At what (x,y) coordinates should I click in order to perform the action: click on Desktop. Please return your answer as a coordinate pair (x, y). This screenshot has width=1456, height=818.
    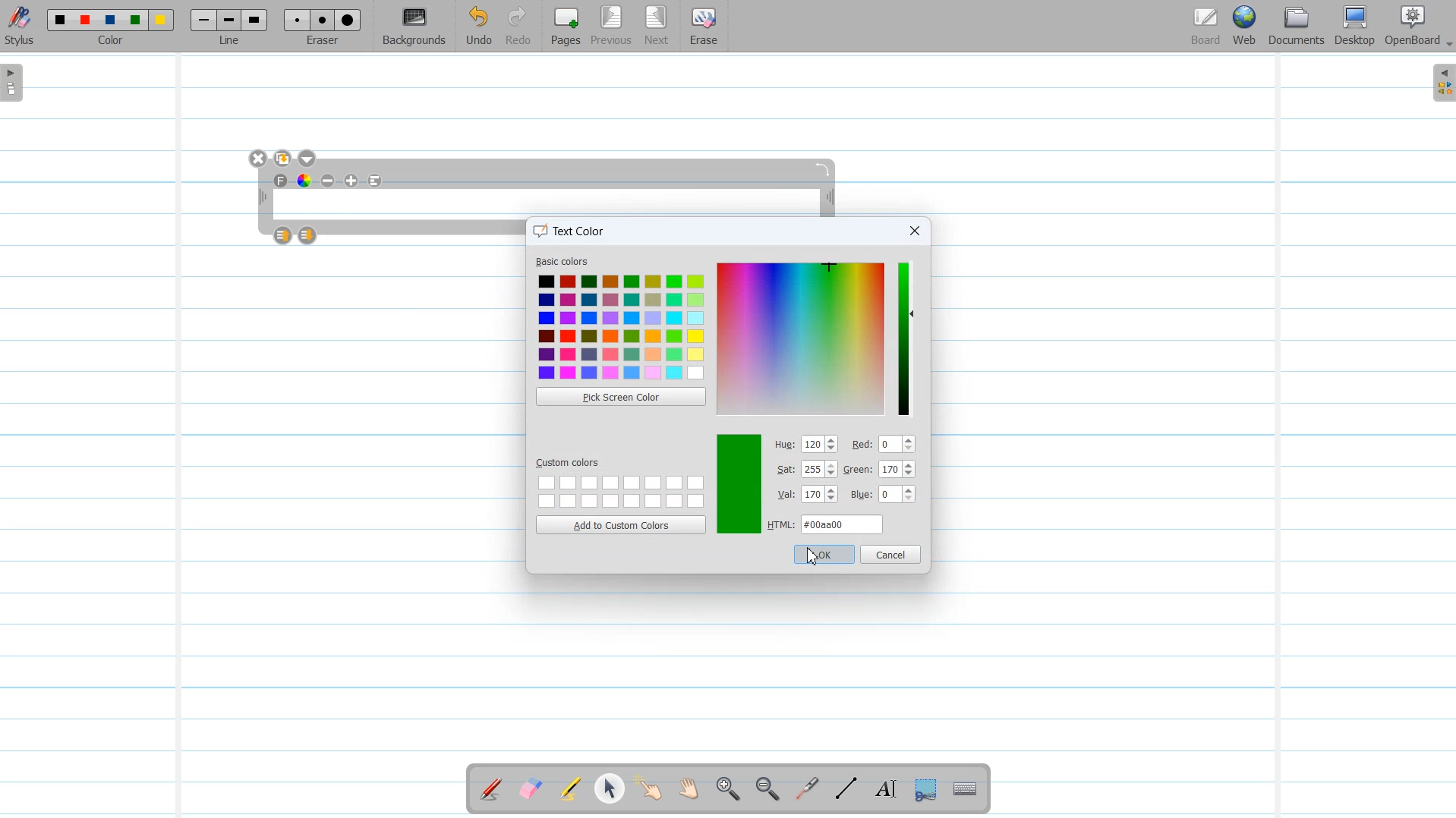
    Looking at the image, I should click on (1354, 27).